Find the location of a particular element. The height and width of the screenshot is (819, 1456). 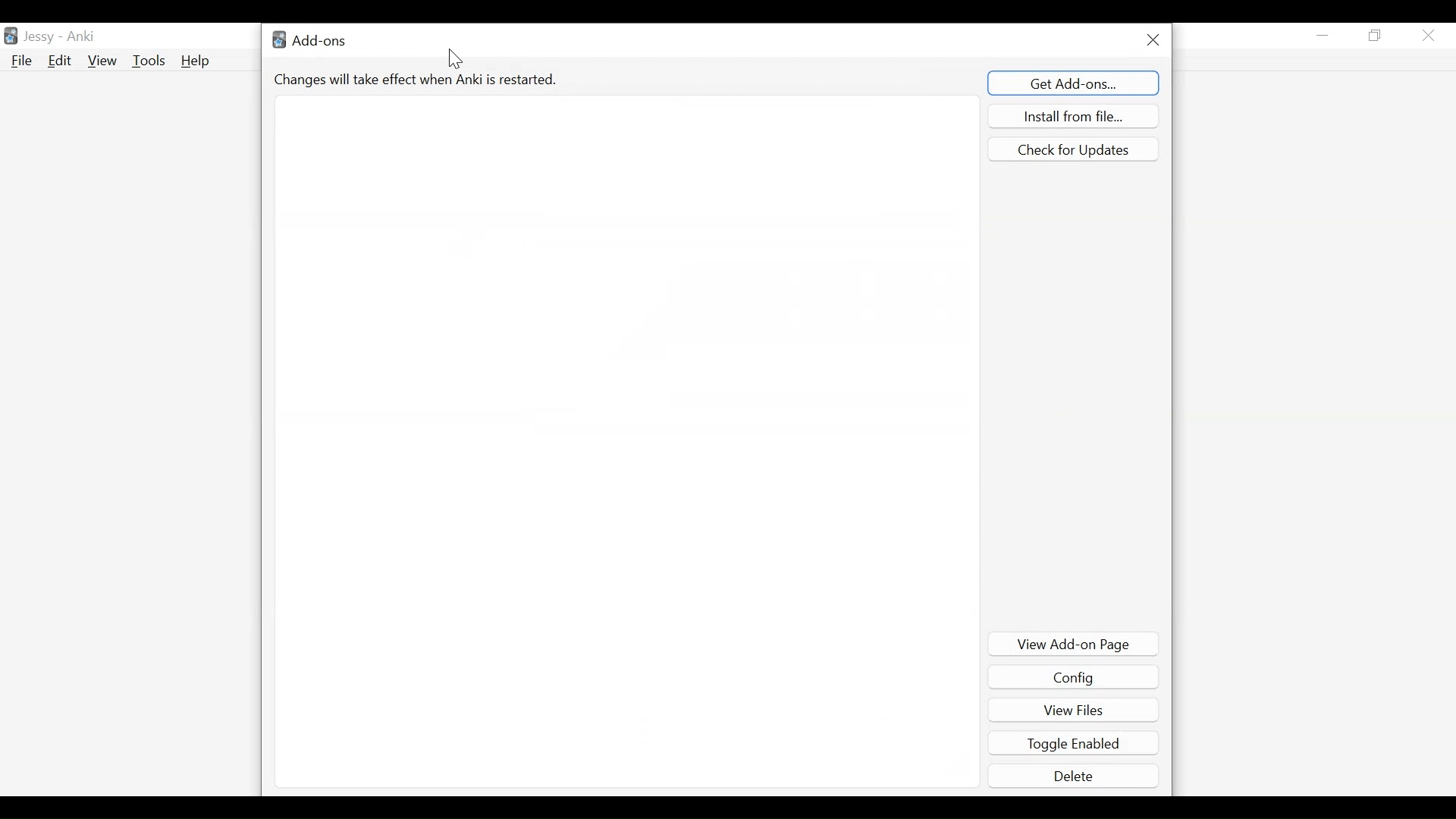

Help is located at coordinates (199, 62).